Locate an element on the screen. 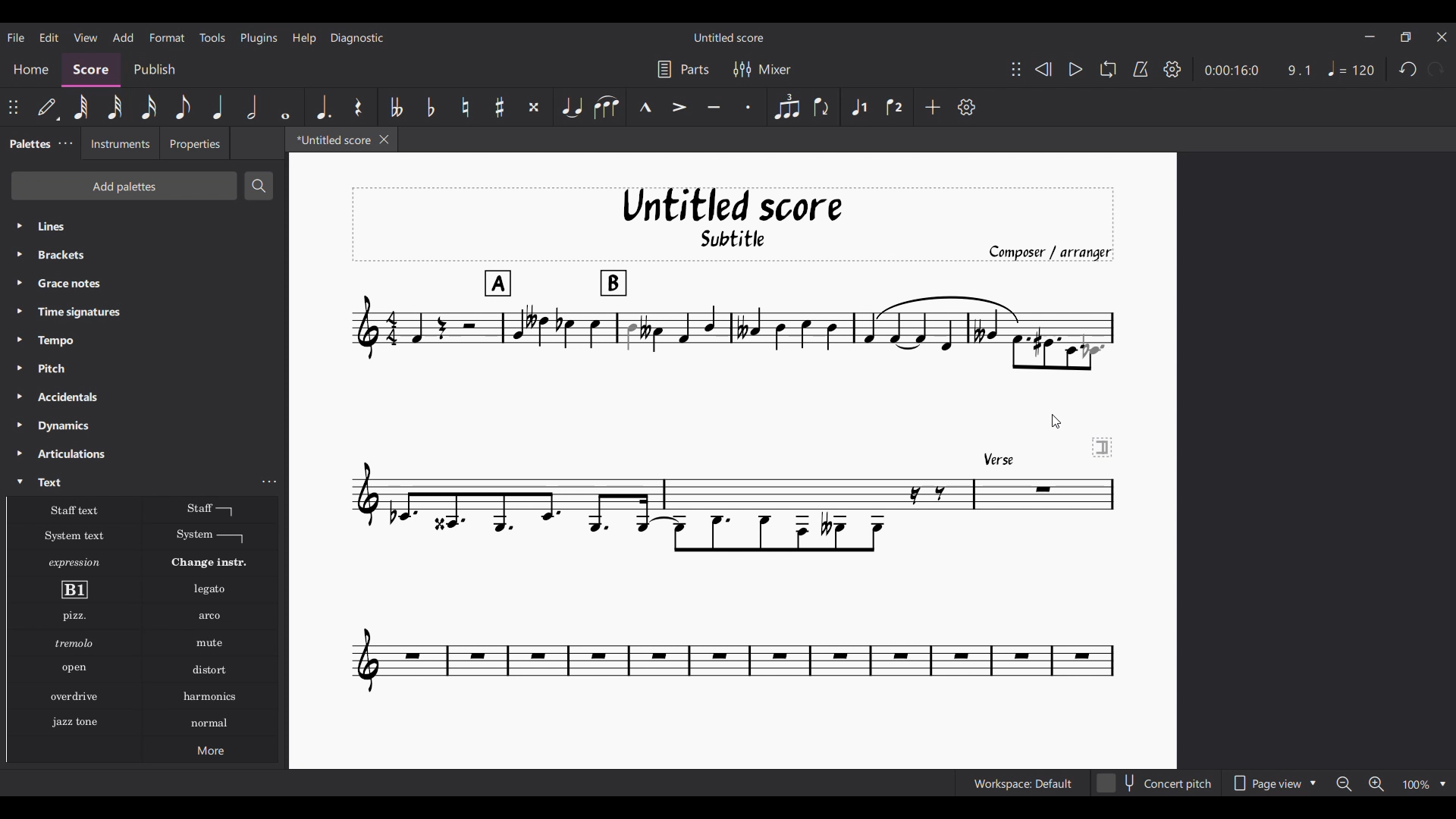 This screenshot has width=1456, height=819. Toggle double sharp is located at coordinates (534, 107).